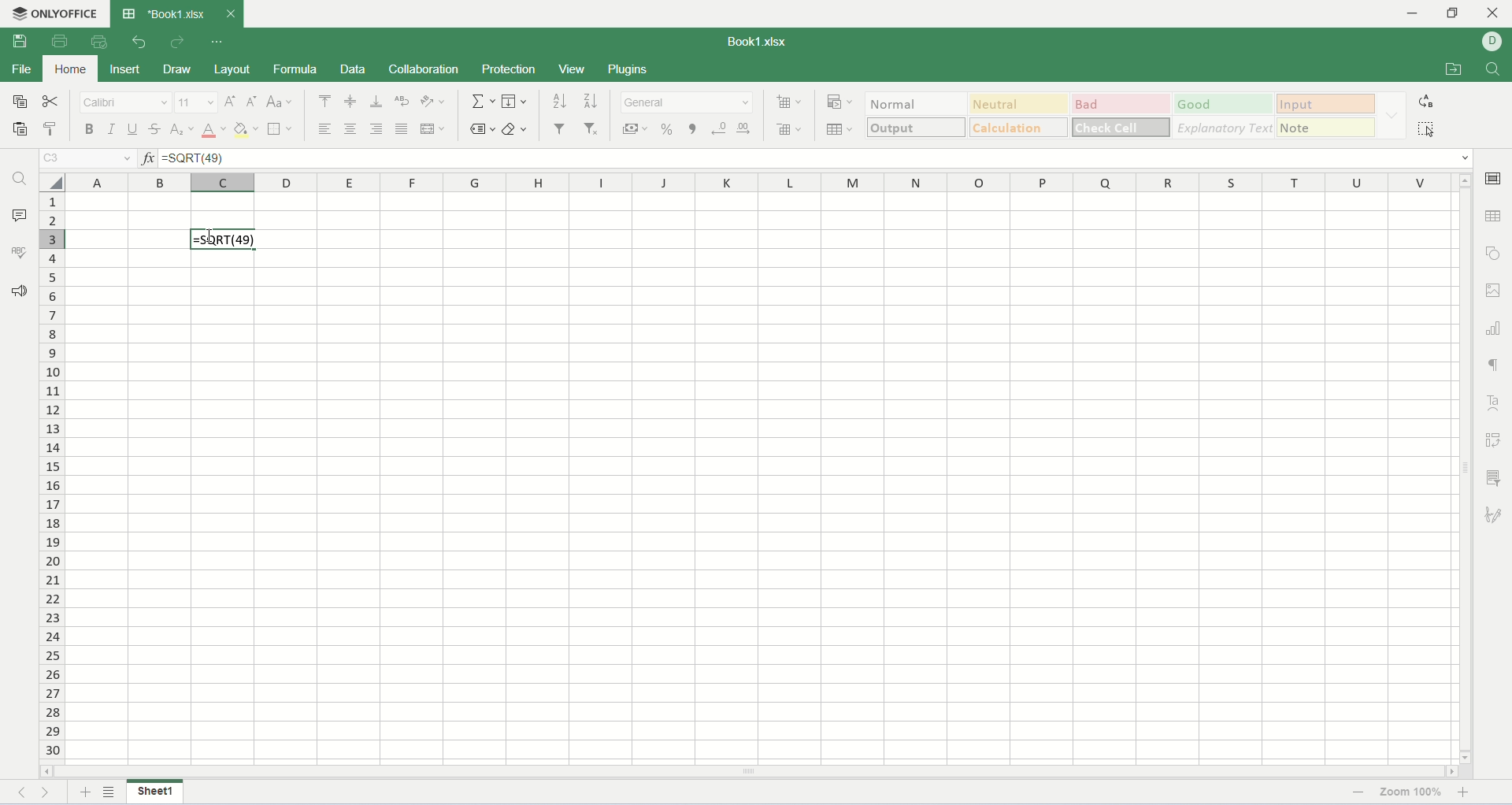 The image size is (1512, 805). Describe the element at coordinates (210, 239) in the screenshot. I see `cursor` at that location.